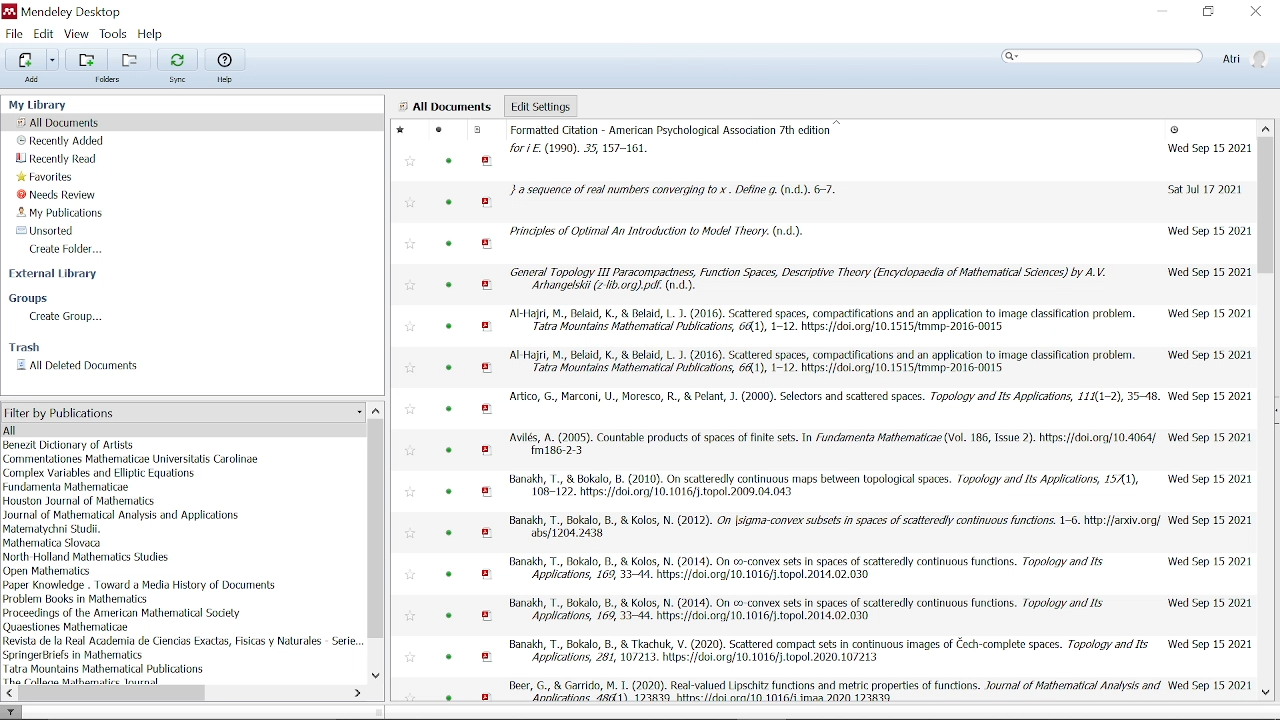  What do you see at coordinates (450, 243) in the screenshot?
I see `status` at bounding box center [450, 243].